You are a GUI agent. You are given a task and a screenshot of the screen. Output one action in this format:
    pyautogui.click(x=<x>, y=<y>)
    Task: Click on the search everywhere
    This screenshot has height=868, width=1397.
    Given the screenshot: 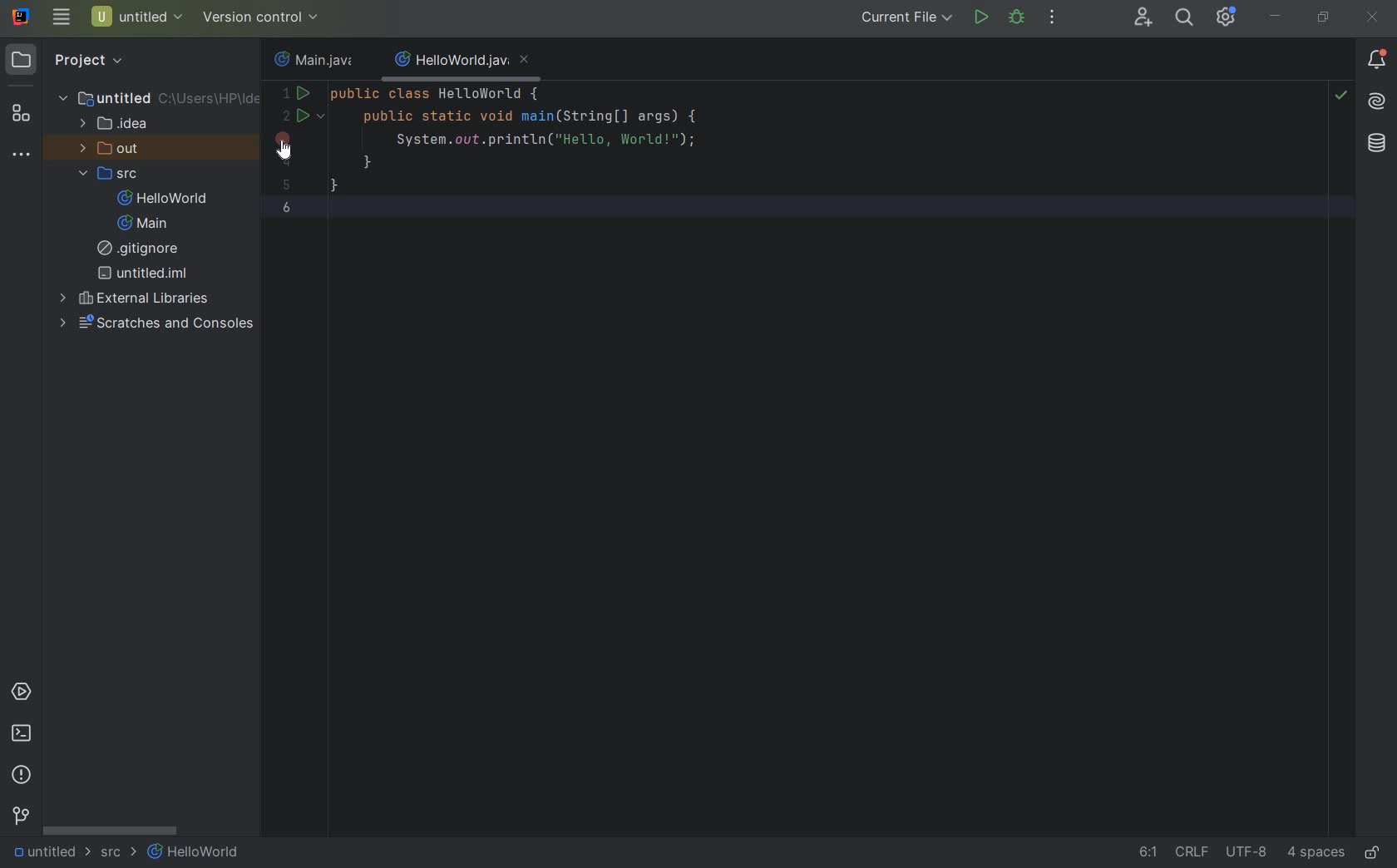 What is the action you would take?
    pyautogui.click(x=1182, y=17)
    